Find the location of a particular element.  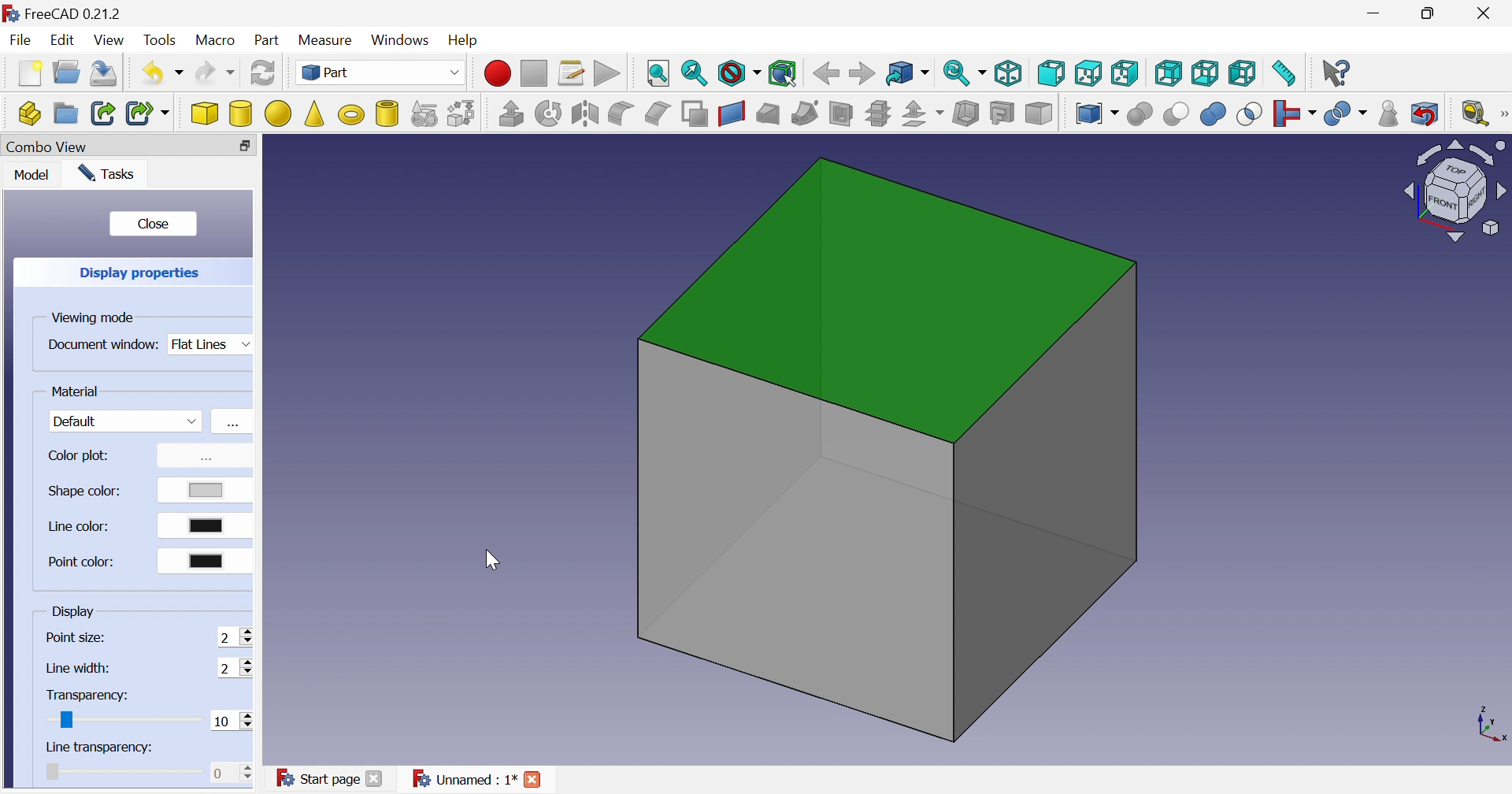

Line transparency is located at coordinates (99, 748).